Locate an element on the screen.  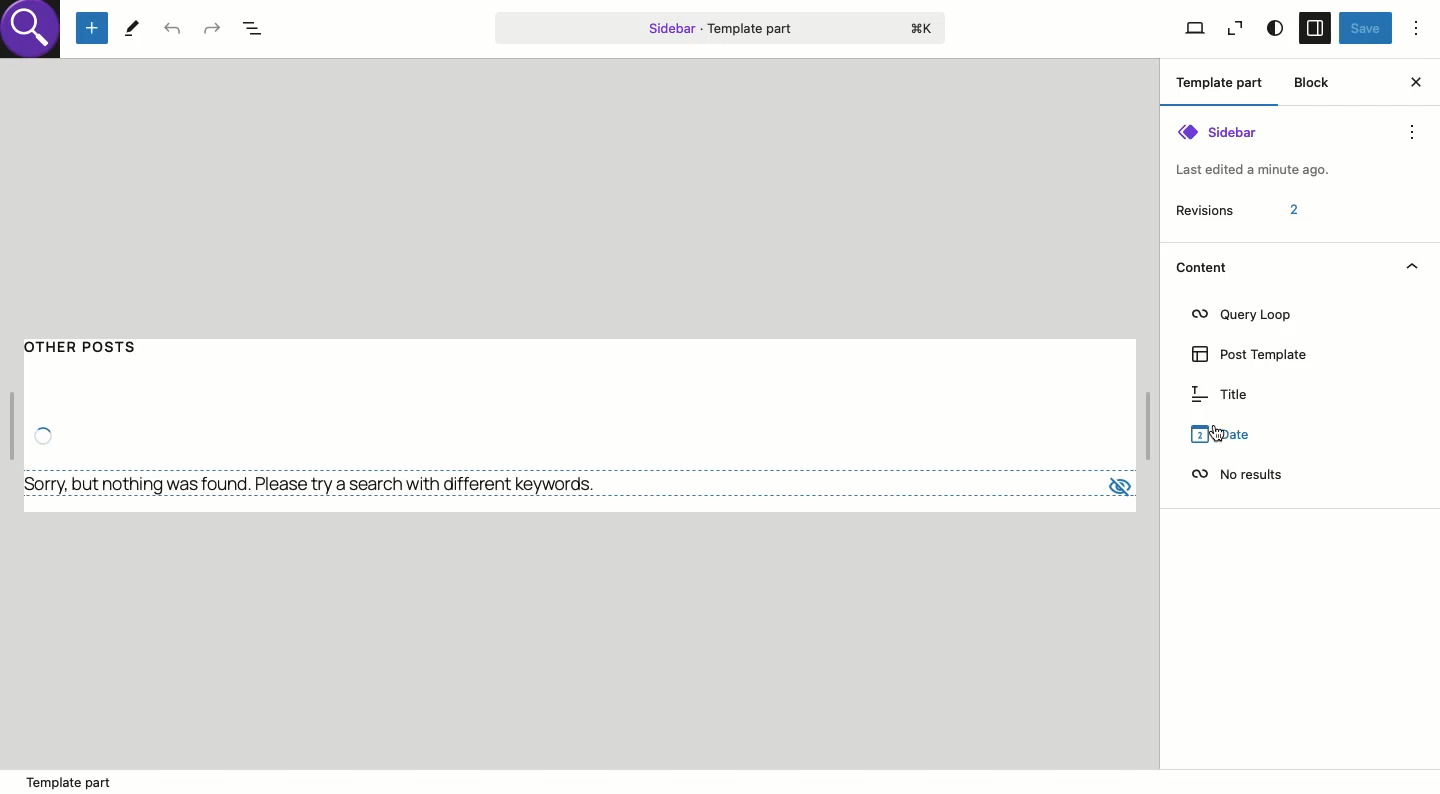
Add new block is located at coordinates (92, 29).